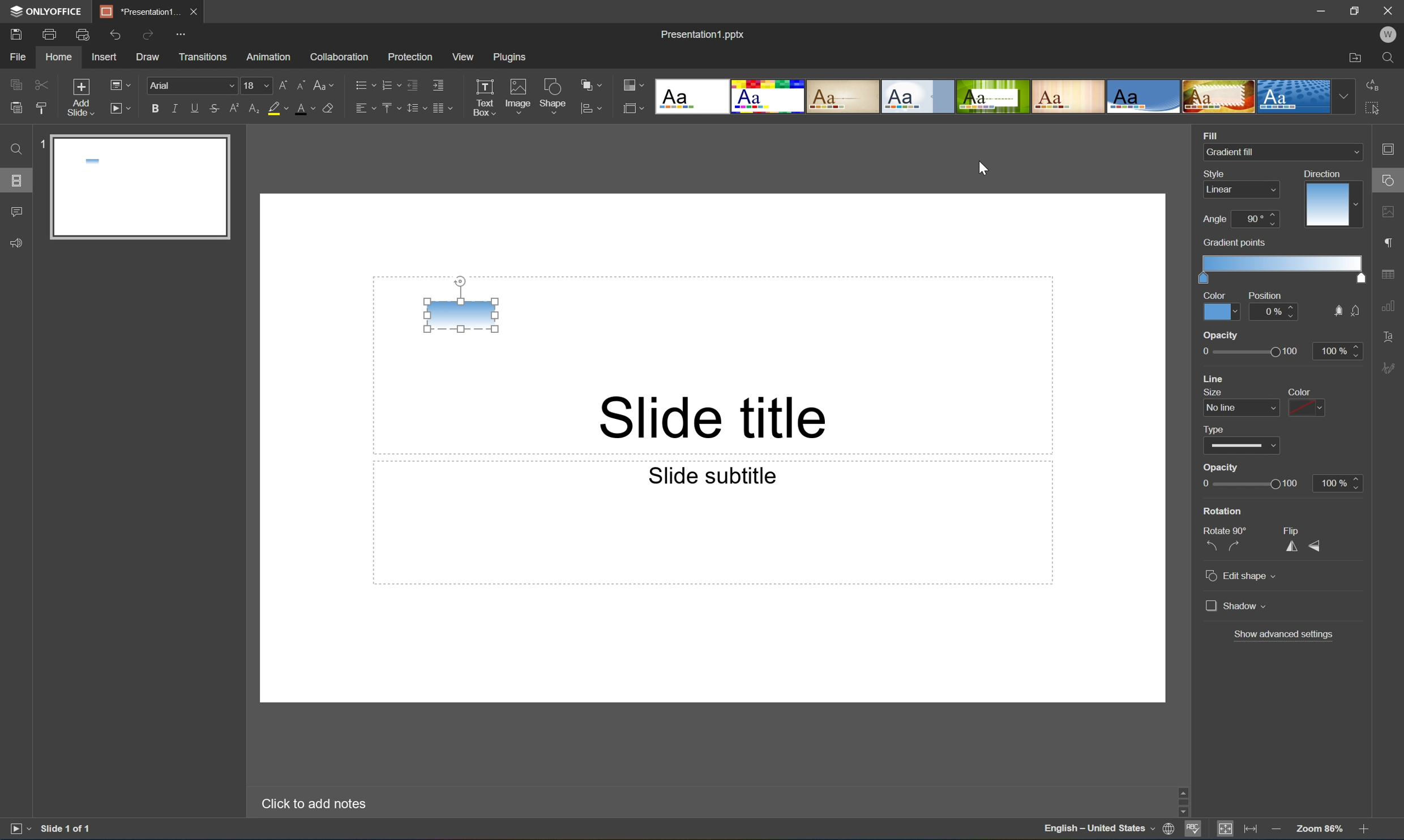 This screenshot has width=1404, height=840. Describe the element at coordinates (1214, 219) in the screenshot. I see `Angle` at that location.